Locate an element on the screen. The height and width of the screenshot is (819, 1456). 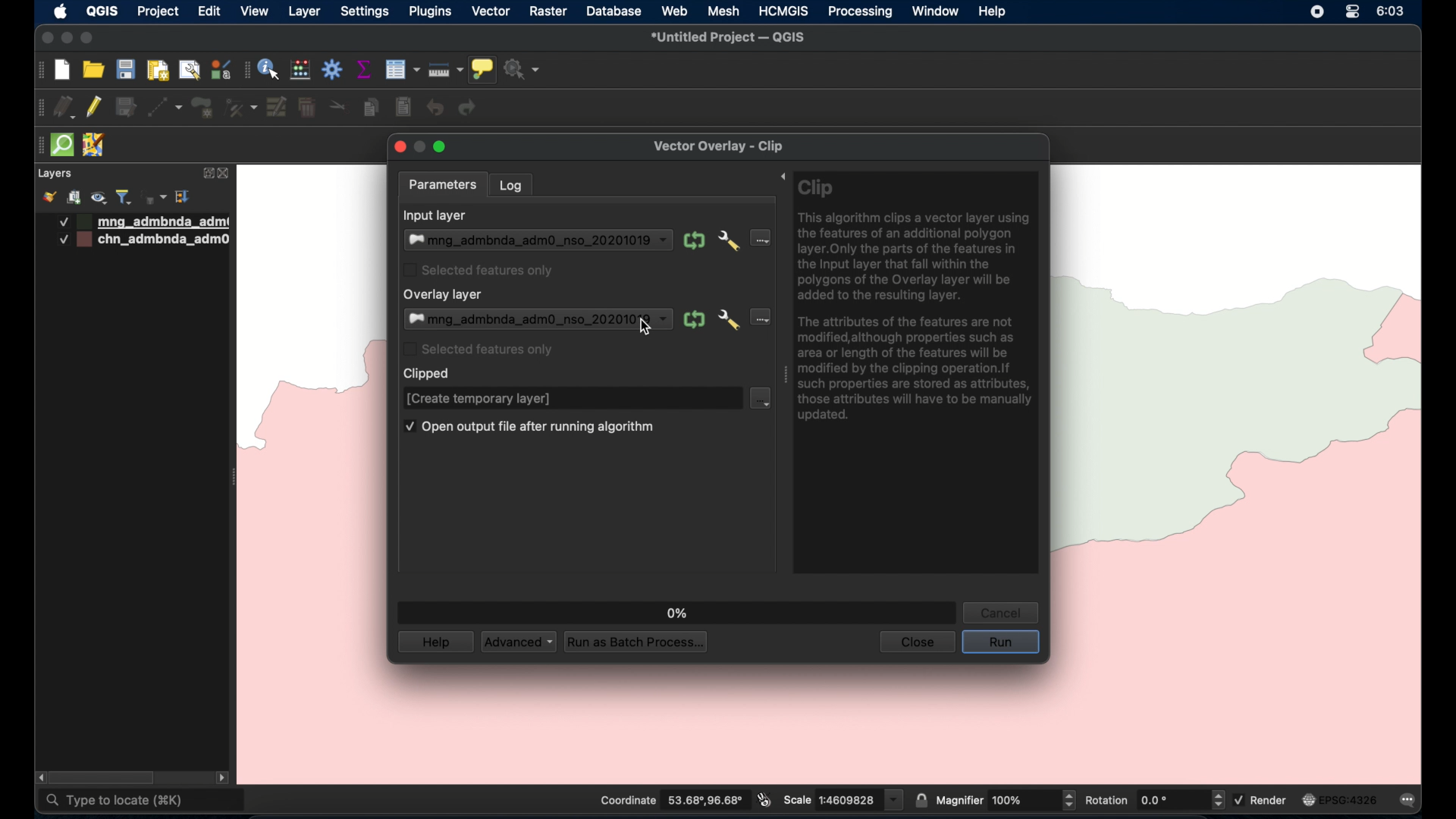
toggle extents and mouse display position is located at coordinates (764, 799).